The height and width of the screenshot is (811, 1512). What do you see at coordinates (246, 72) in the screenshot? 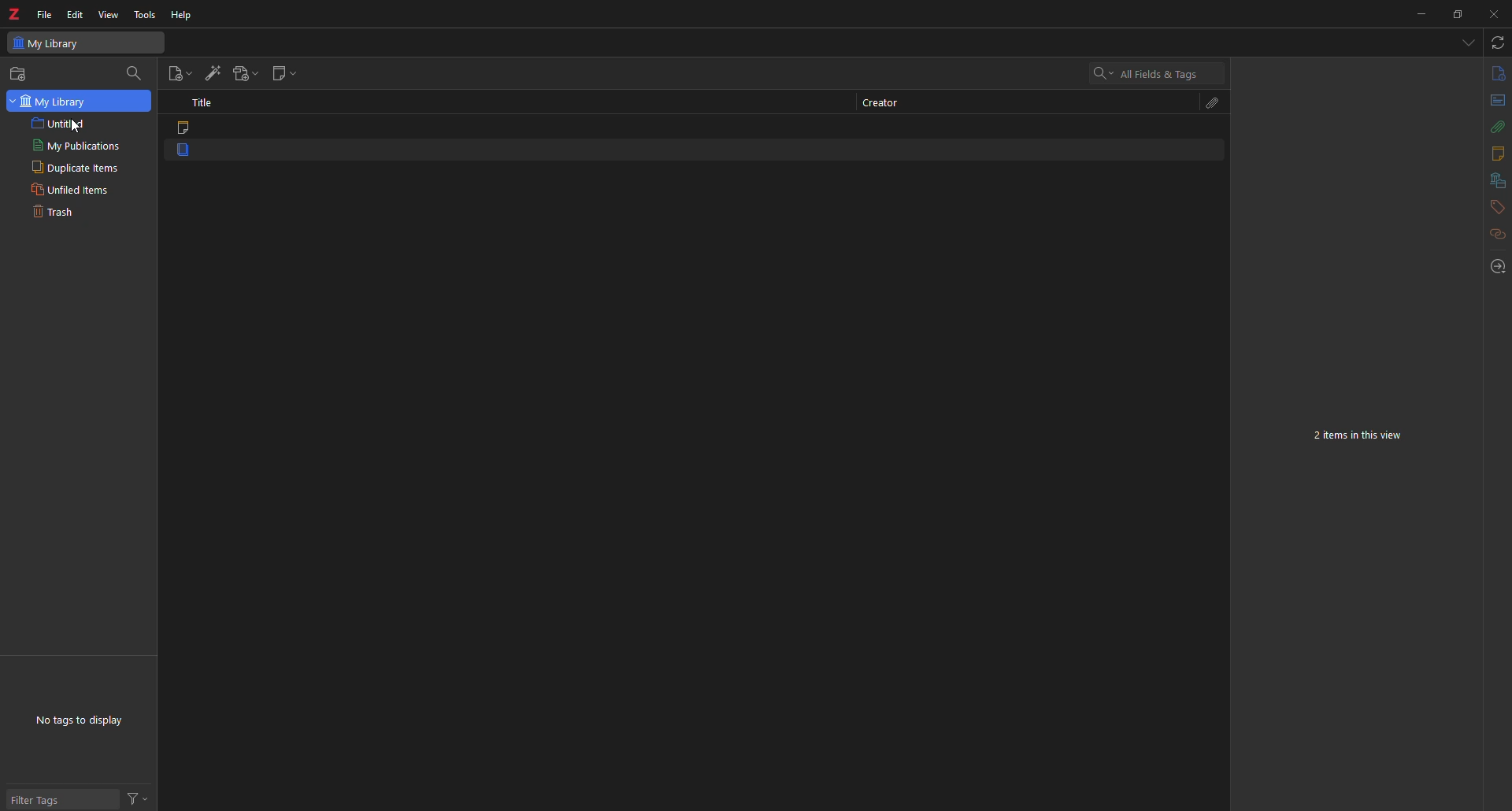
I see `add attachment` at bounding box center [246, 72].